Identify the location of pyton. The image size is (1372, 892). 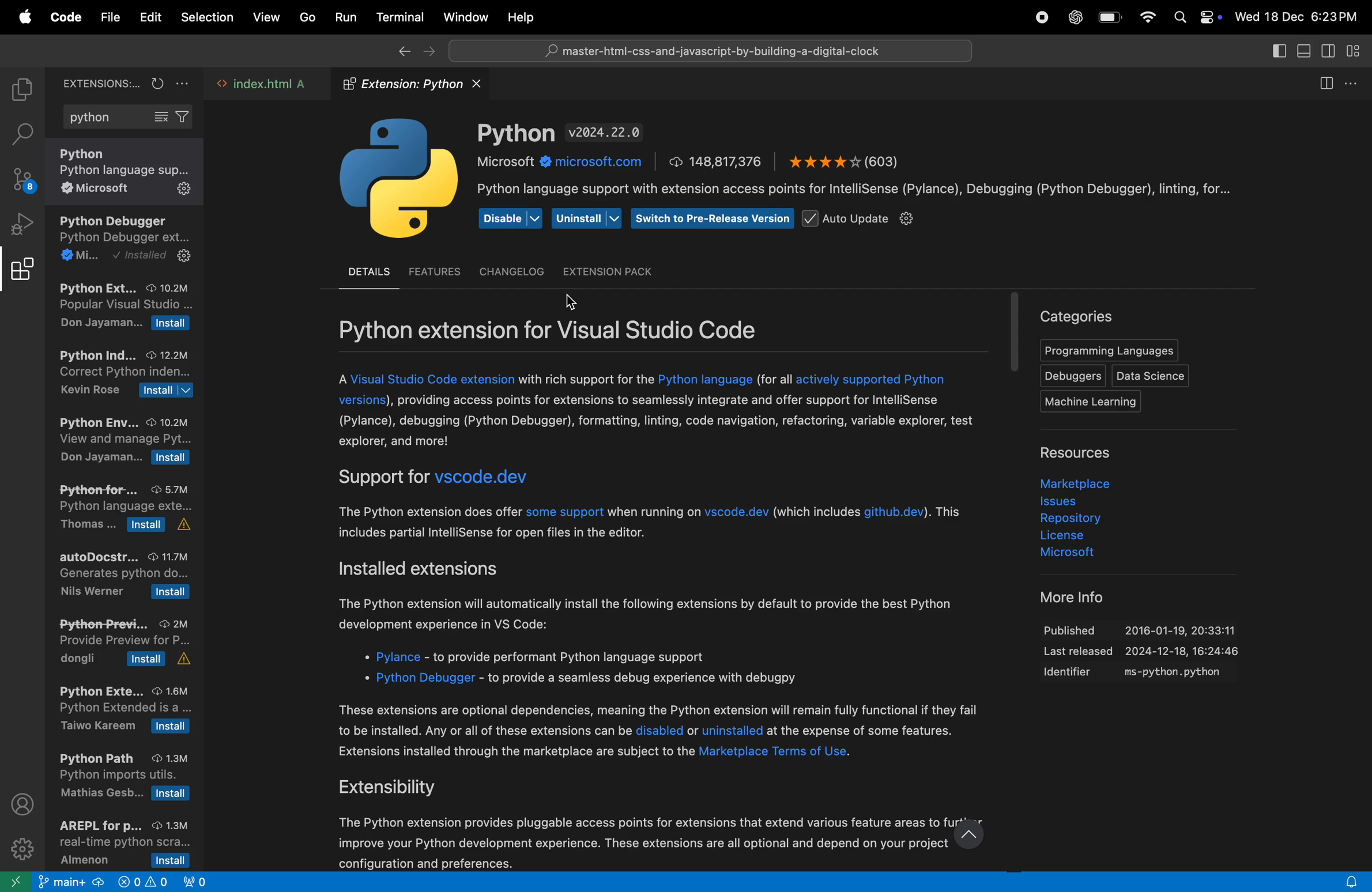
(517, 133).